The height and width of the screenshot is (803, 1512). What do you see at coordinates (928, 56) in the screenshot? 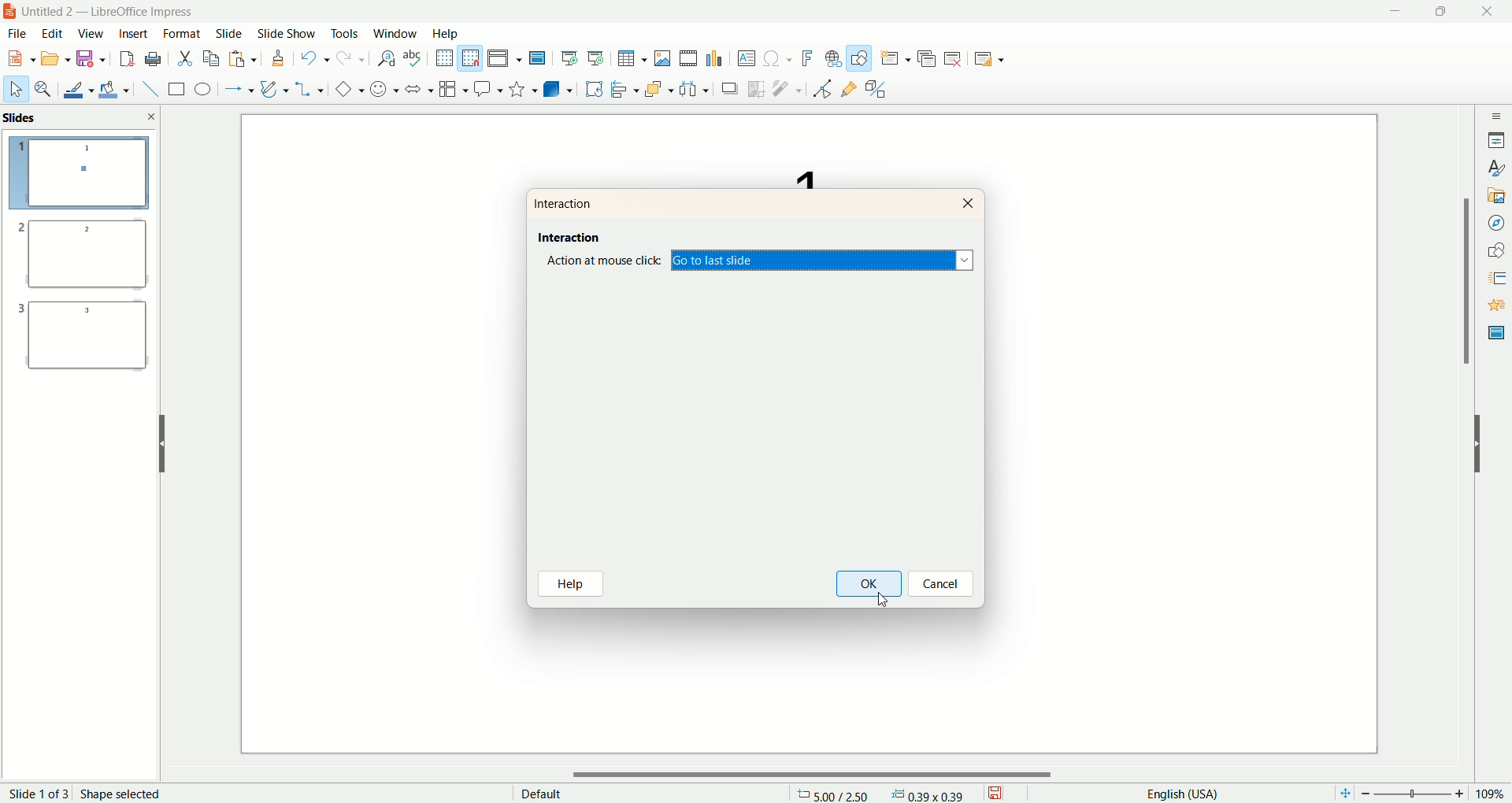
I see `duplicate slide` at bounding box center [928, 56].